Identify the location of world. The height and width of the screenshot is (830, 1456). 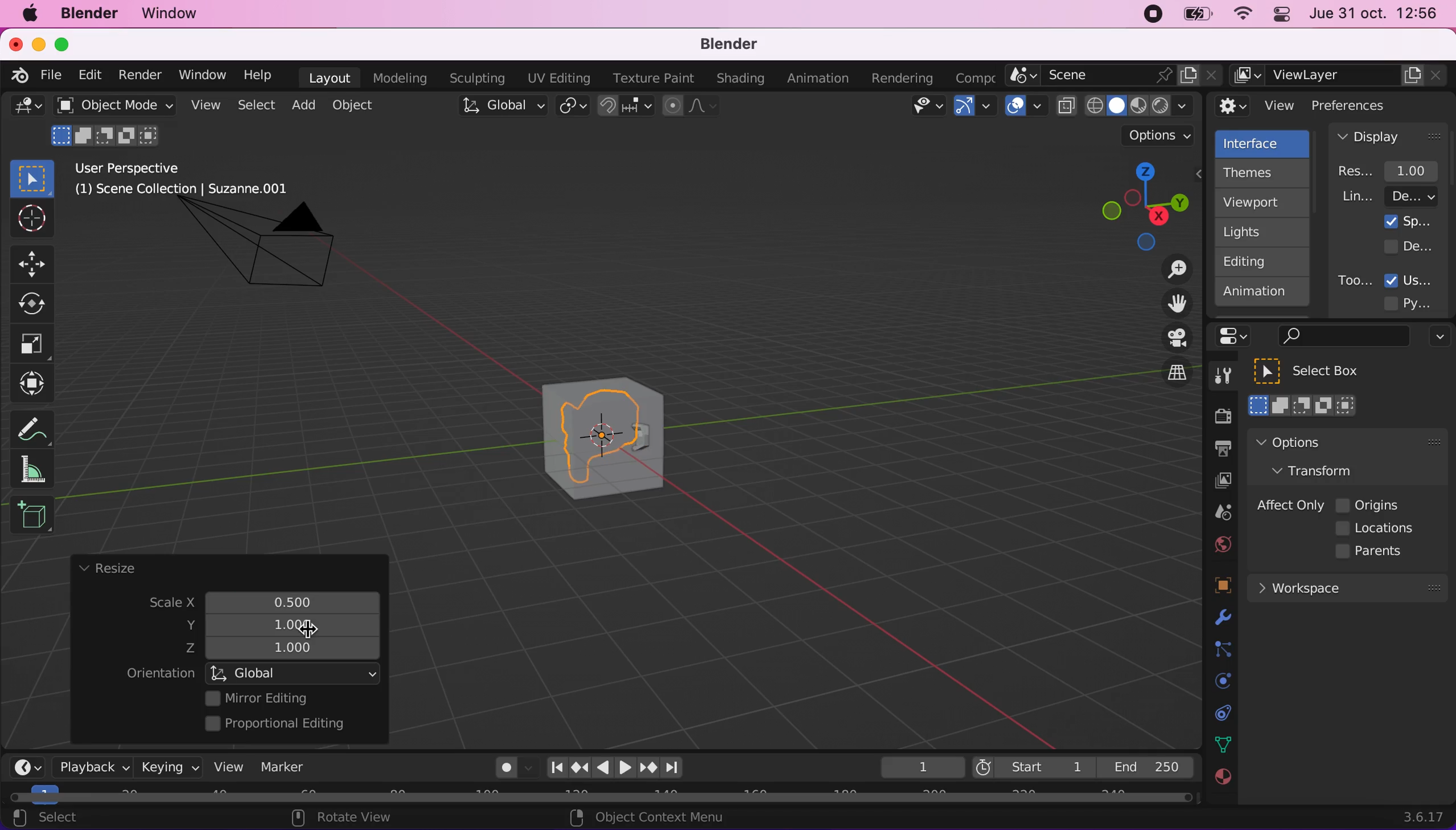
(1220, 543).